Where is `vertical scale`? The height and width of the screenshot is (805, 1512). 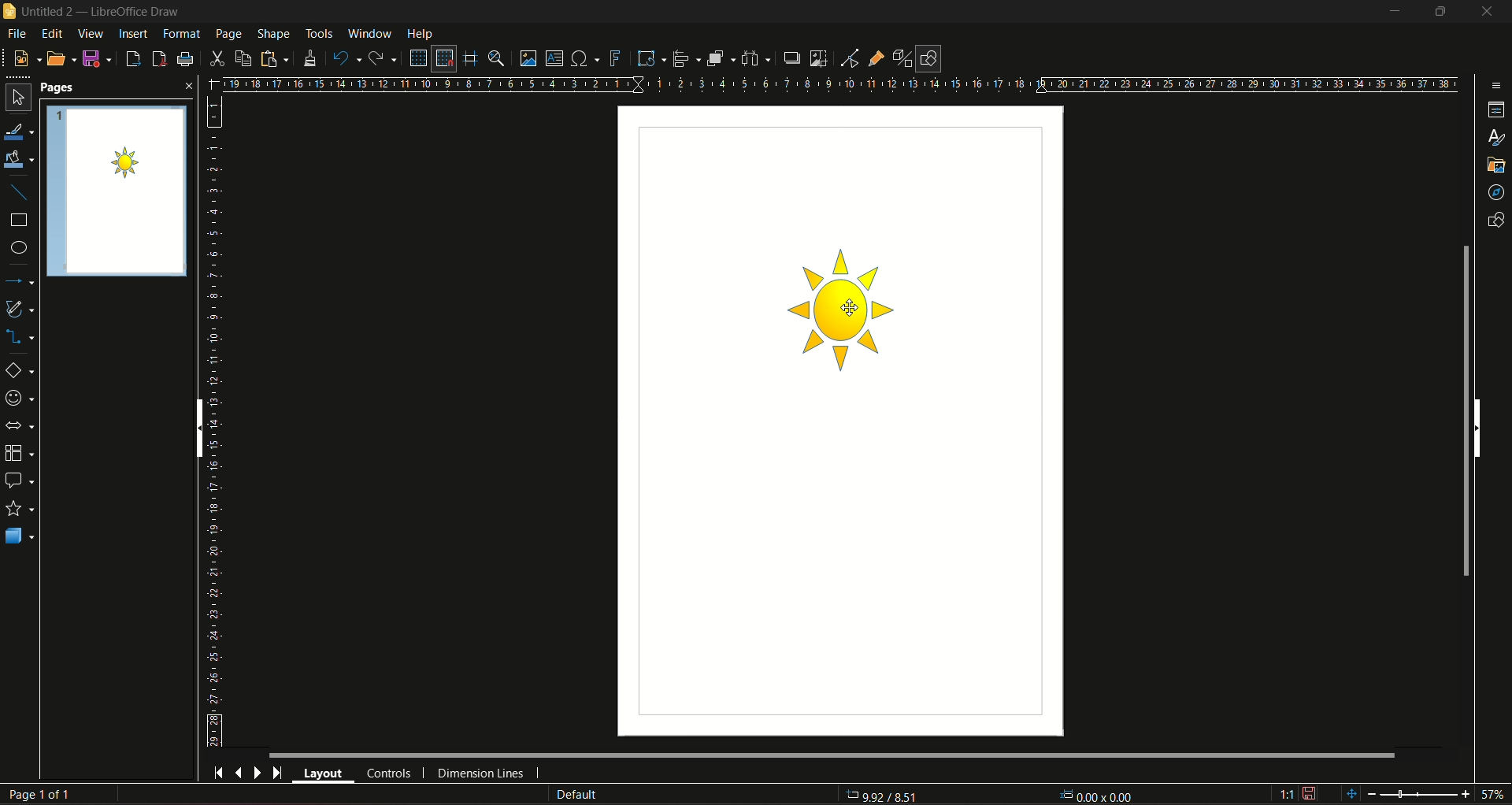 vertical scale is located at coordinates (216, 421).